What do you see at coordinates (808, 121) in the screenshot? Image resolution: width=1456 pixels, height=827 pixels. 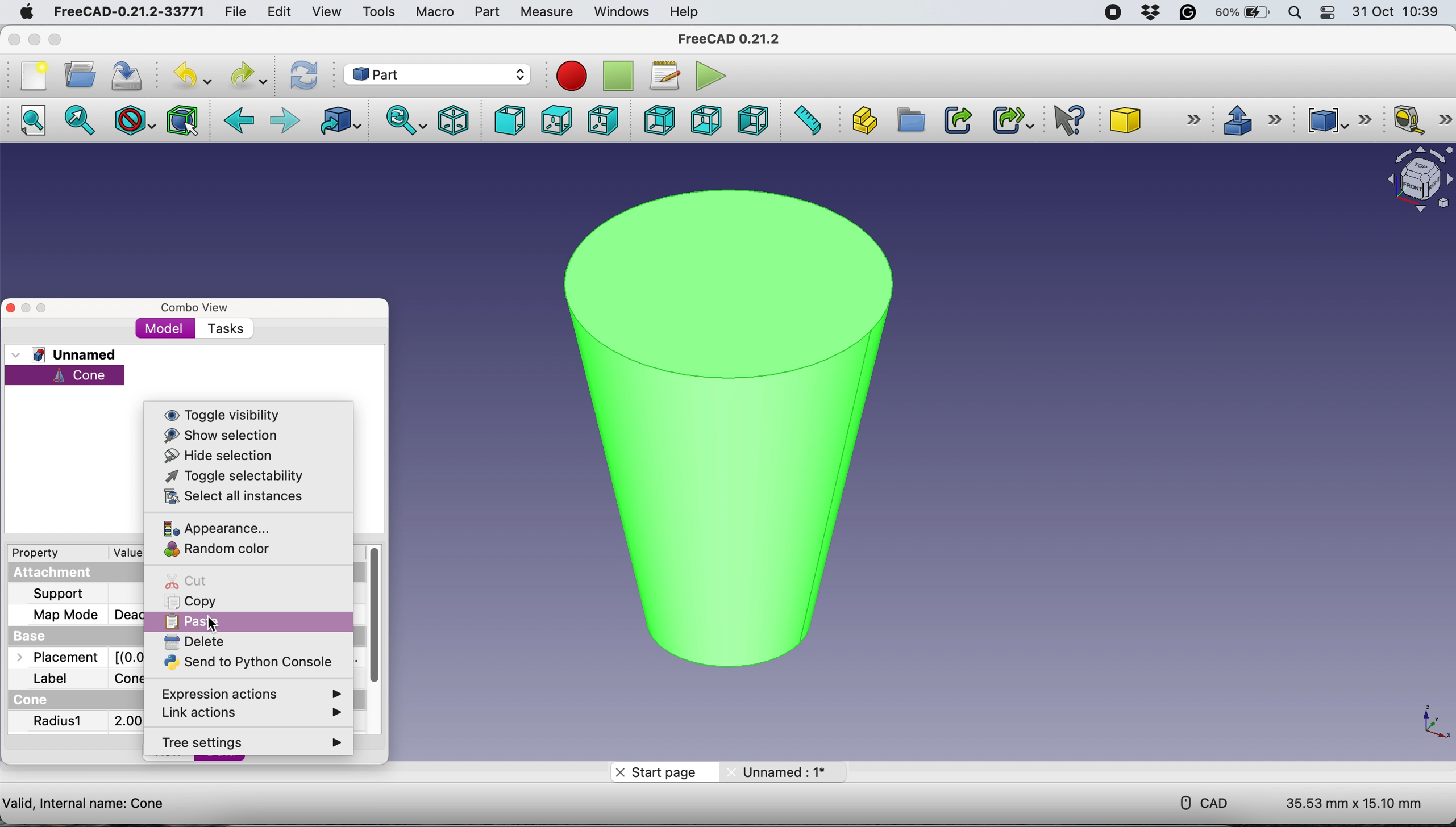 I see `measure distance` at bounding box center [808, 121].